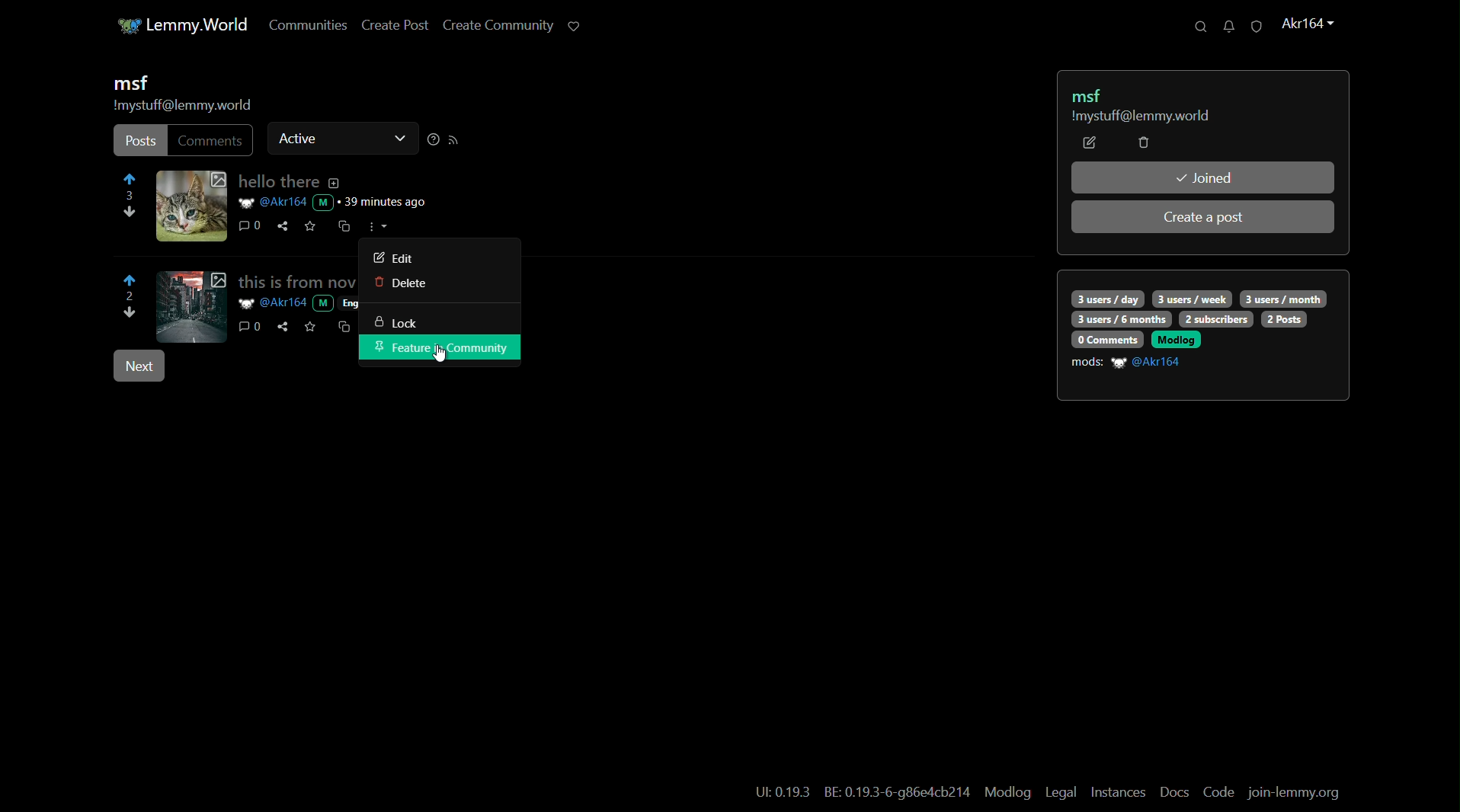 The width and height of the screenshot is (1460, 812). Describe the element at coordinates (336, 202) in the screenshot. I see `usernamepost details` at that location.